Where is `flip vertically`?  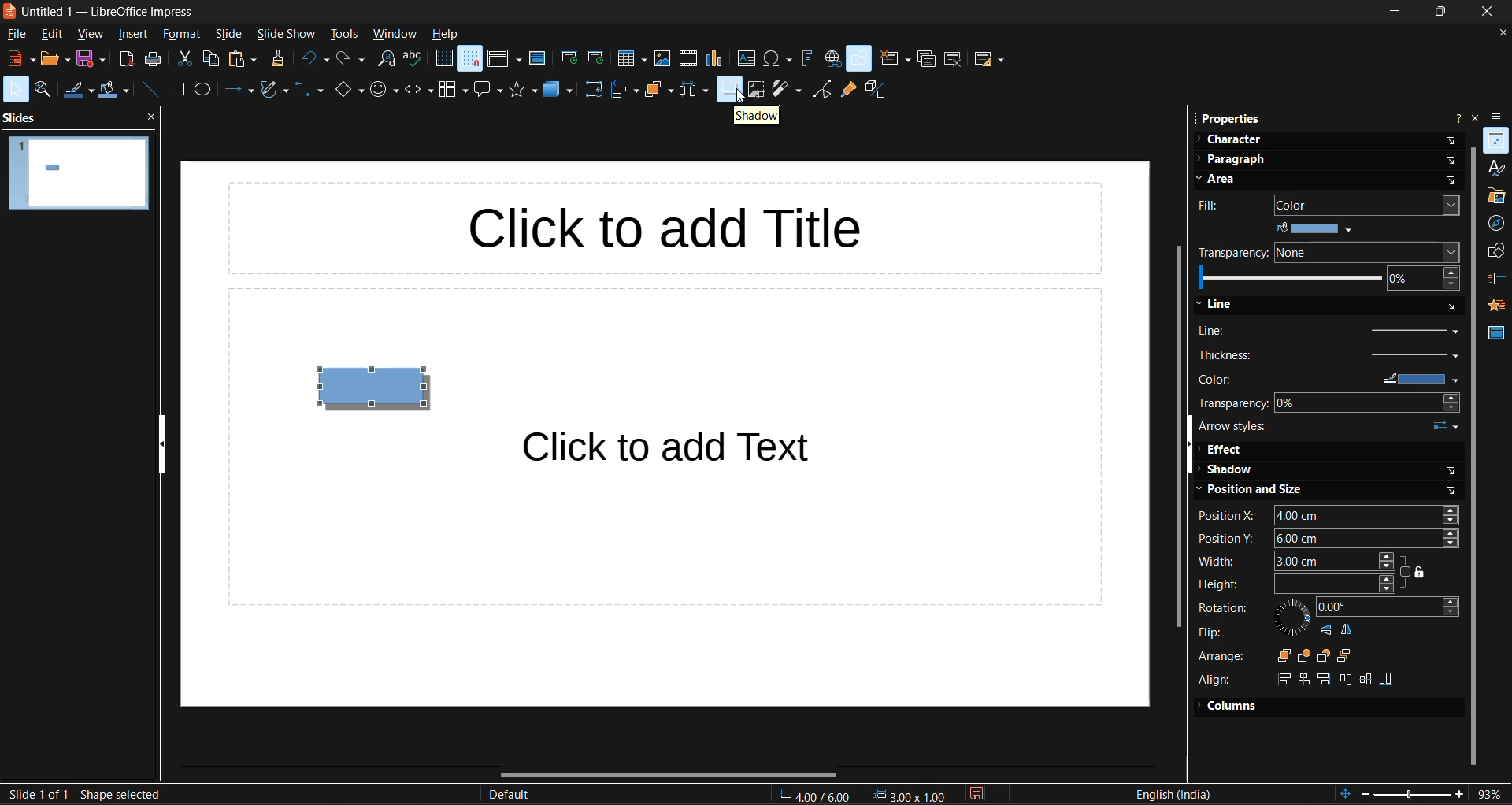 flip vertically is located at coordinates (1322, 631).